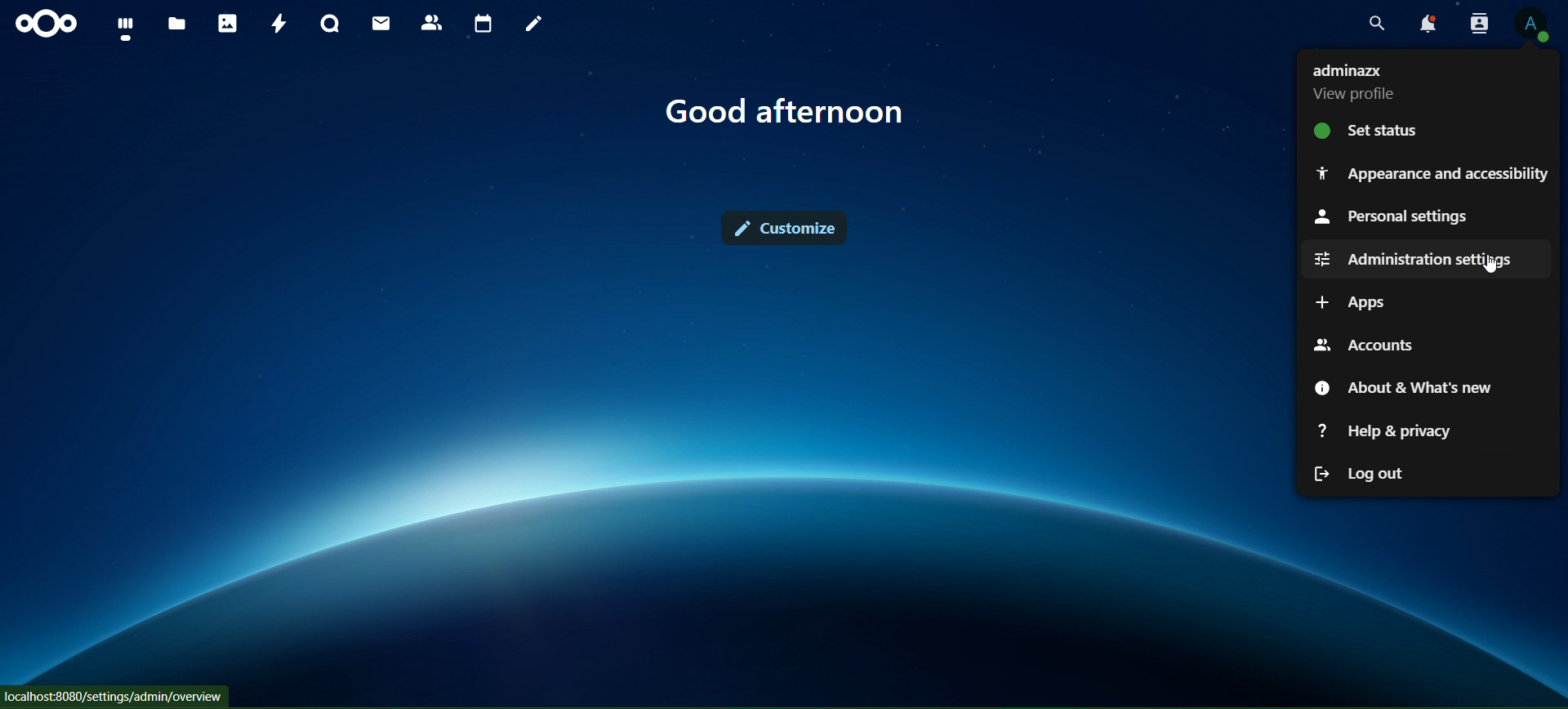  What do you see at coordinates (129, 29) in the screenshot?
I see `dashboard` at bounding box center [129, 29].